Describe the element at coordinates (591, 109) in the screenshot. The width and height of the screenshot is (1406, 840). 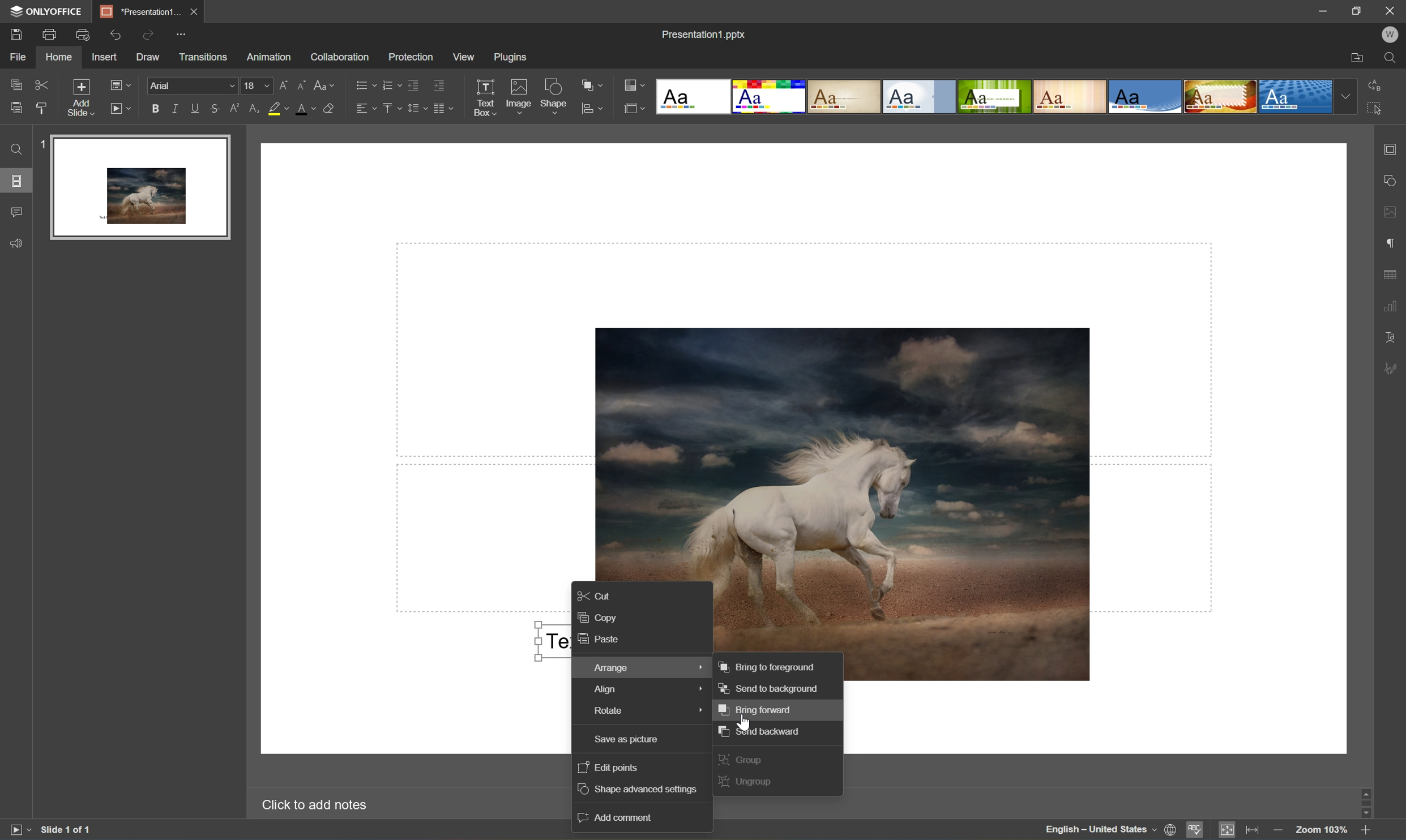
I see `Align shapes` at that location.